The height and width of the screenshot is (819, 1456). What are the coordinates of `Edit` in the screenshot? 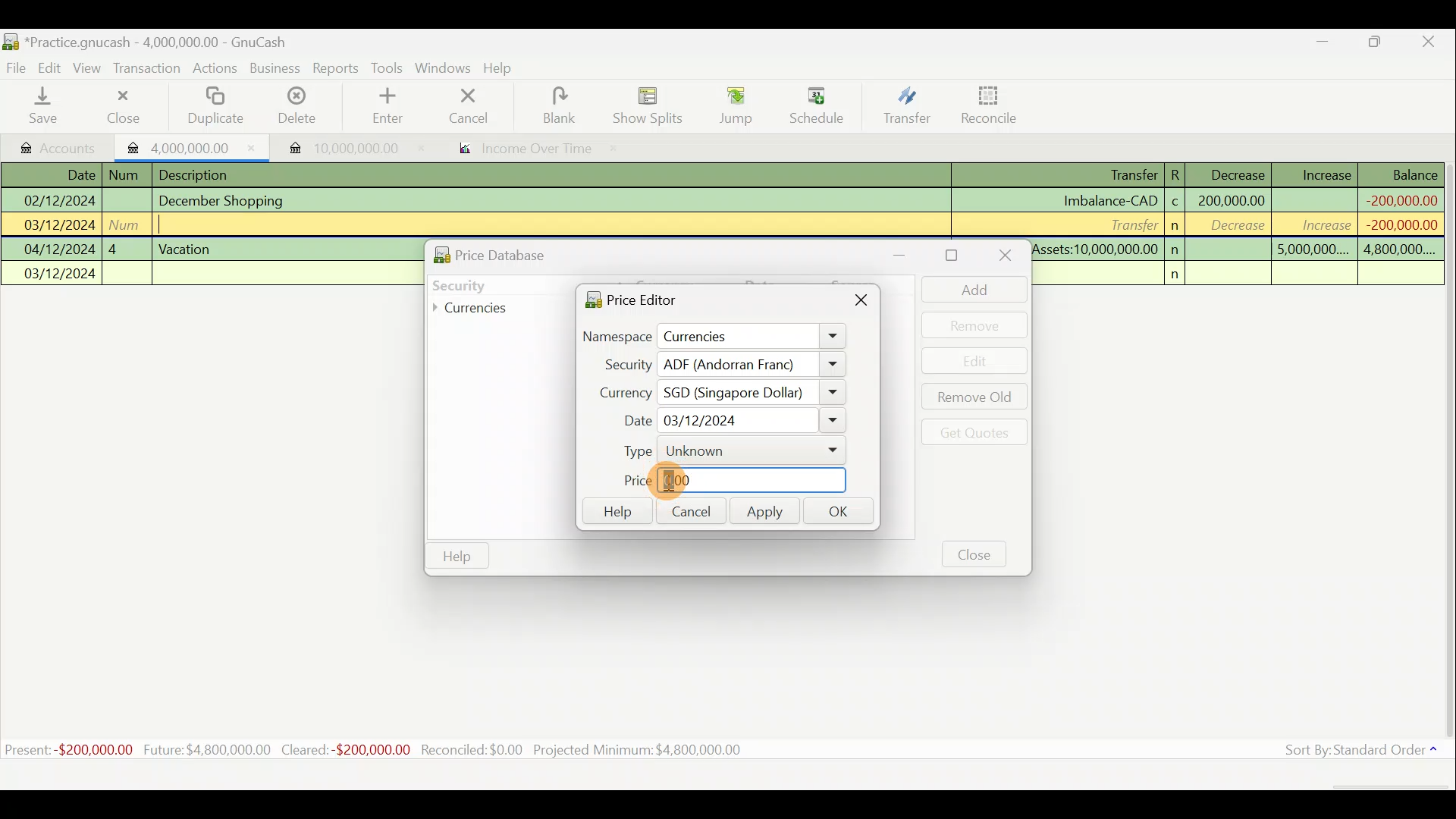 It's located at (52, 67).